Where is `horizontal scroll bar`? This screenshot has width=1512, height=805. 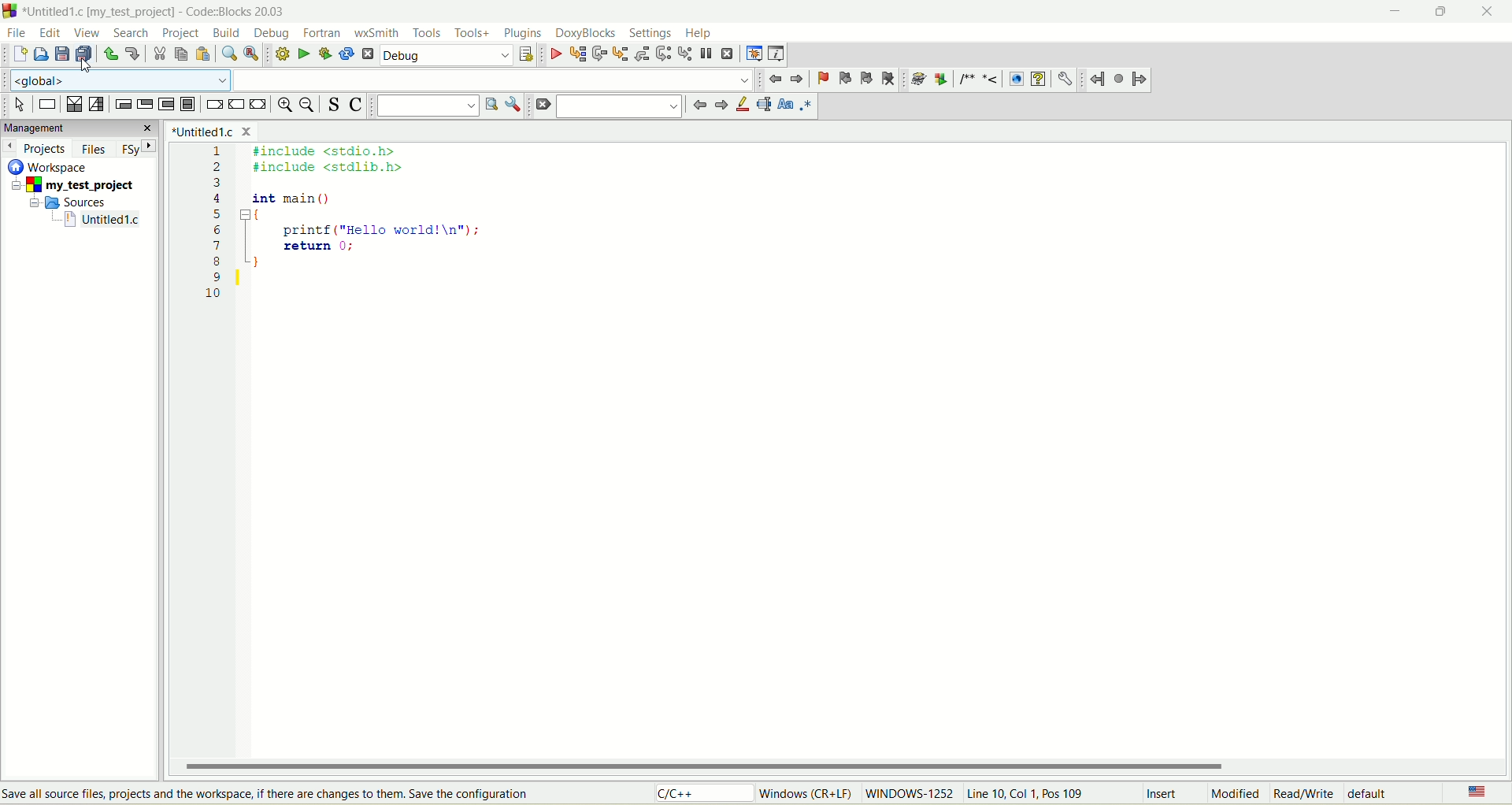 horizontal scroll bar is located at coordinates (845, 766).